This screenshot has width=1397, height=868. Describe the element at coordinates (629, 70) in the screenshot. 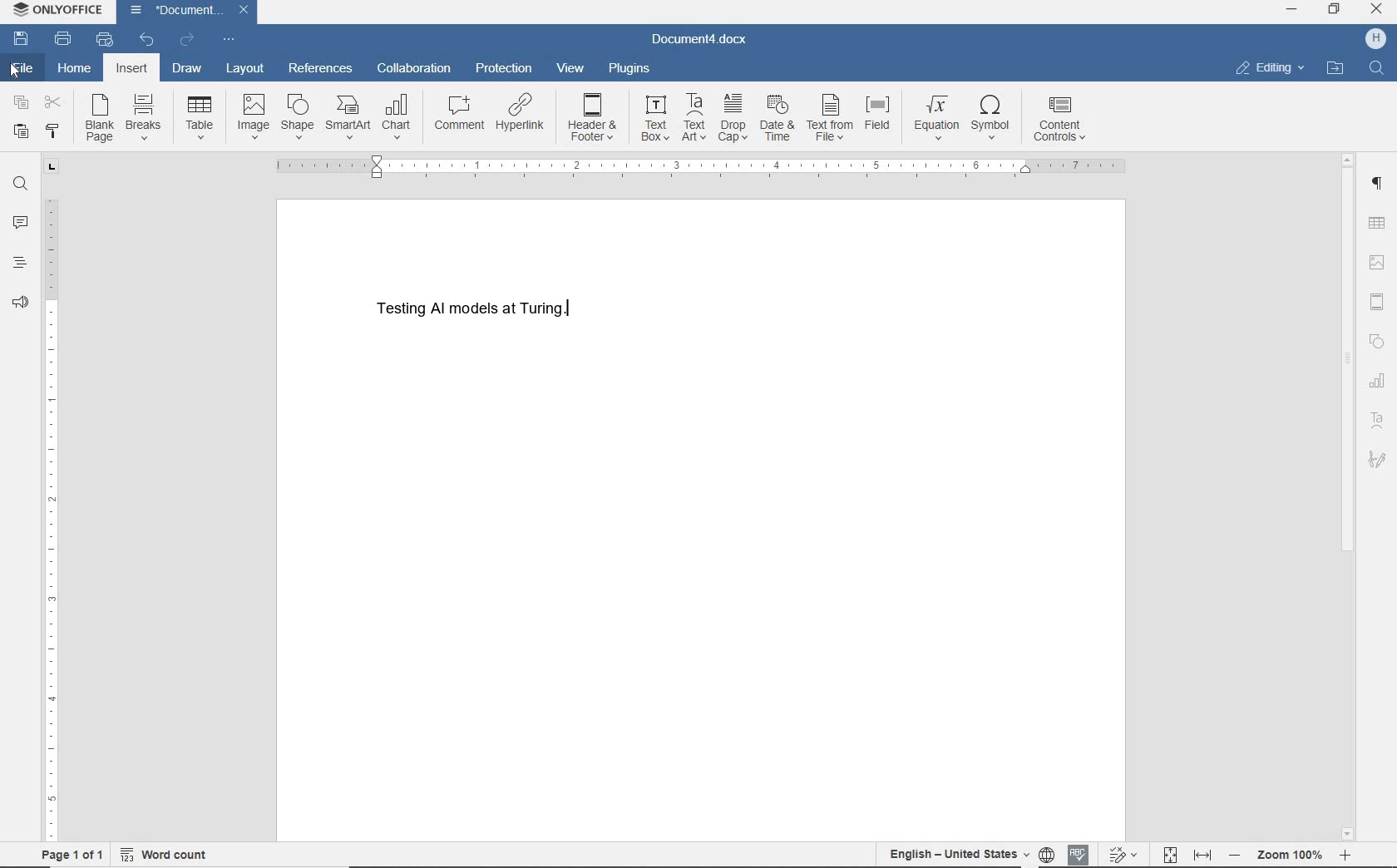

I see `plugins` at that location.